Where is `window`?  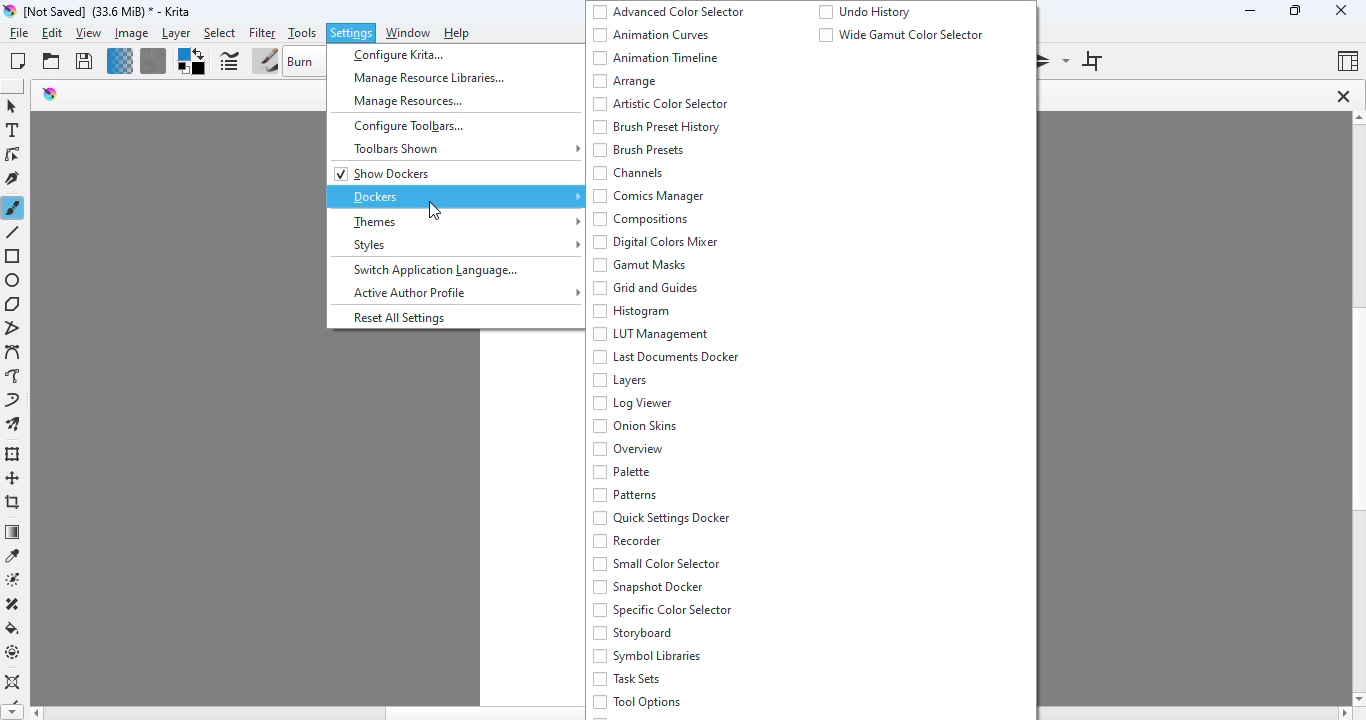 window is located at coordinates (407, 33).